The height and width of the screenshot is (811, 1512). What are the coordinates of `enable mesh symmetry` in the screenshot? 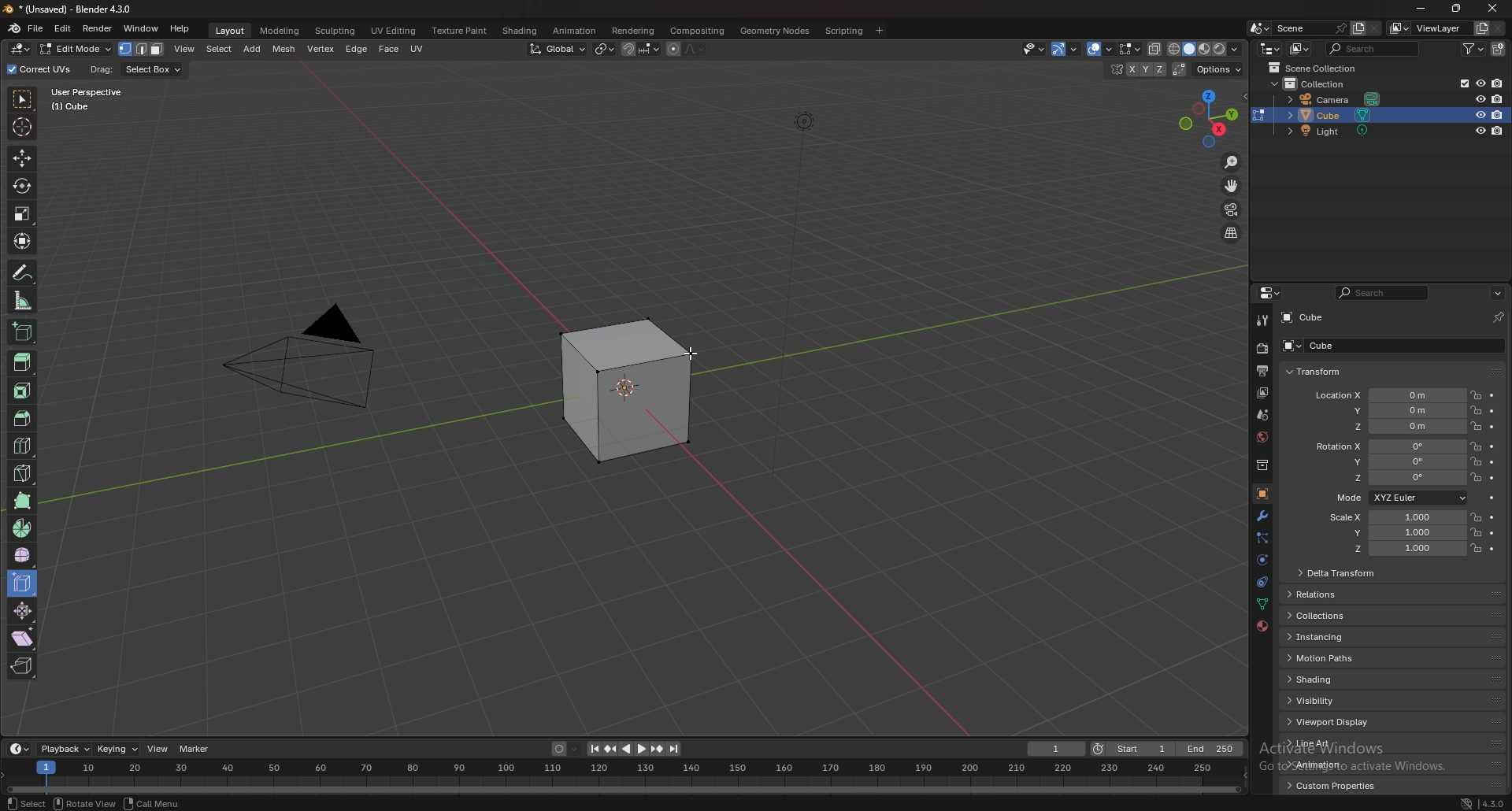 It's located at (1137, 70).